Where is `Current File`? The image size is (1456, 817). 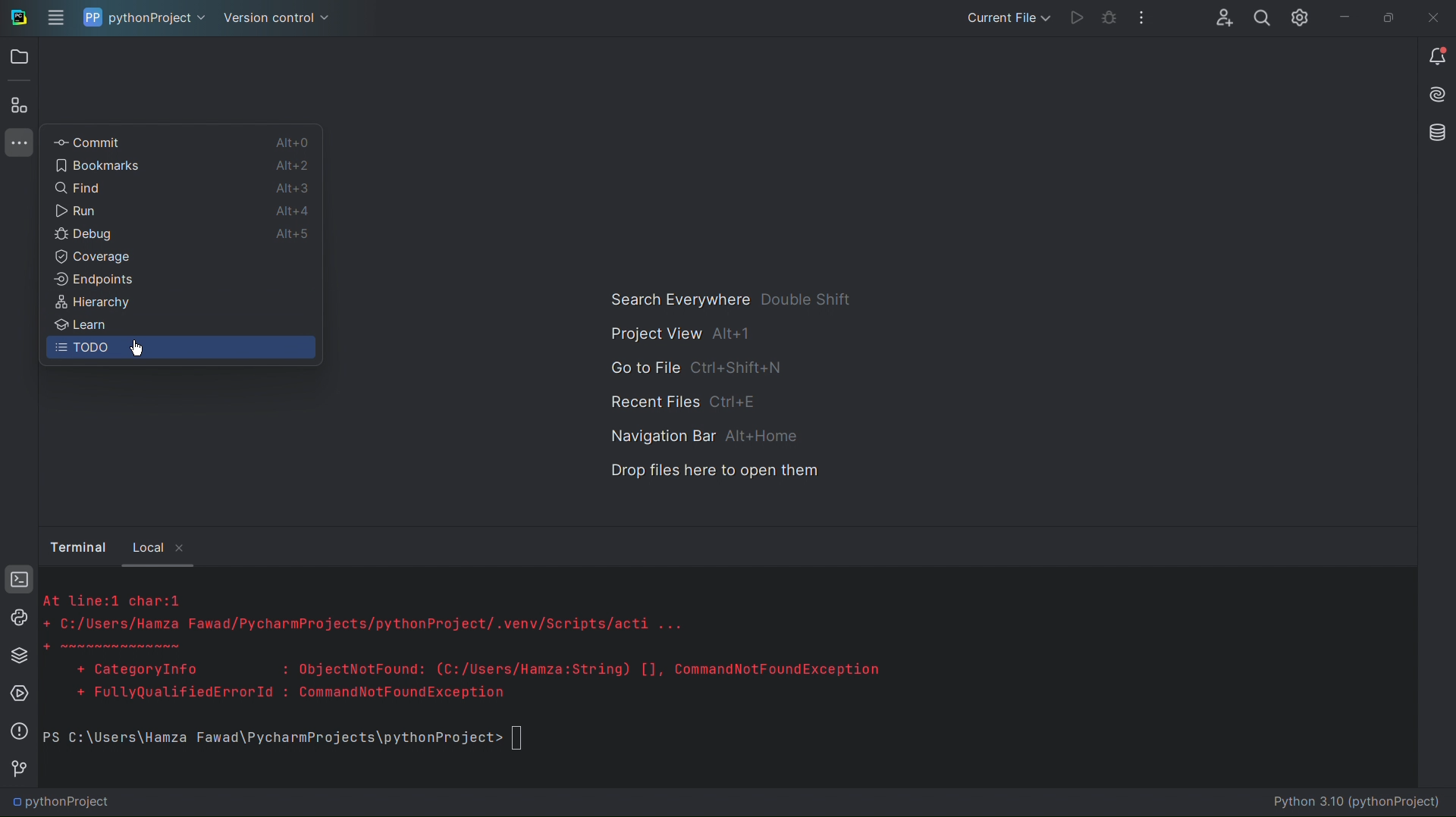 Current File is located at coordinates (1005, 16).